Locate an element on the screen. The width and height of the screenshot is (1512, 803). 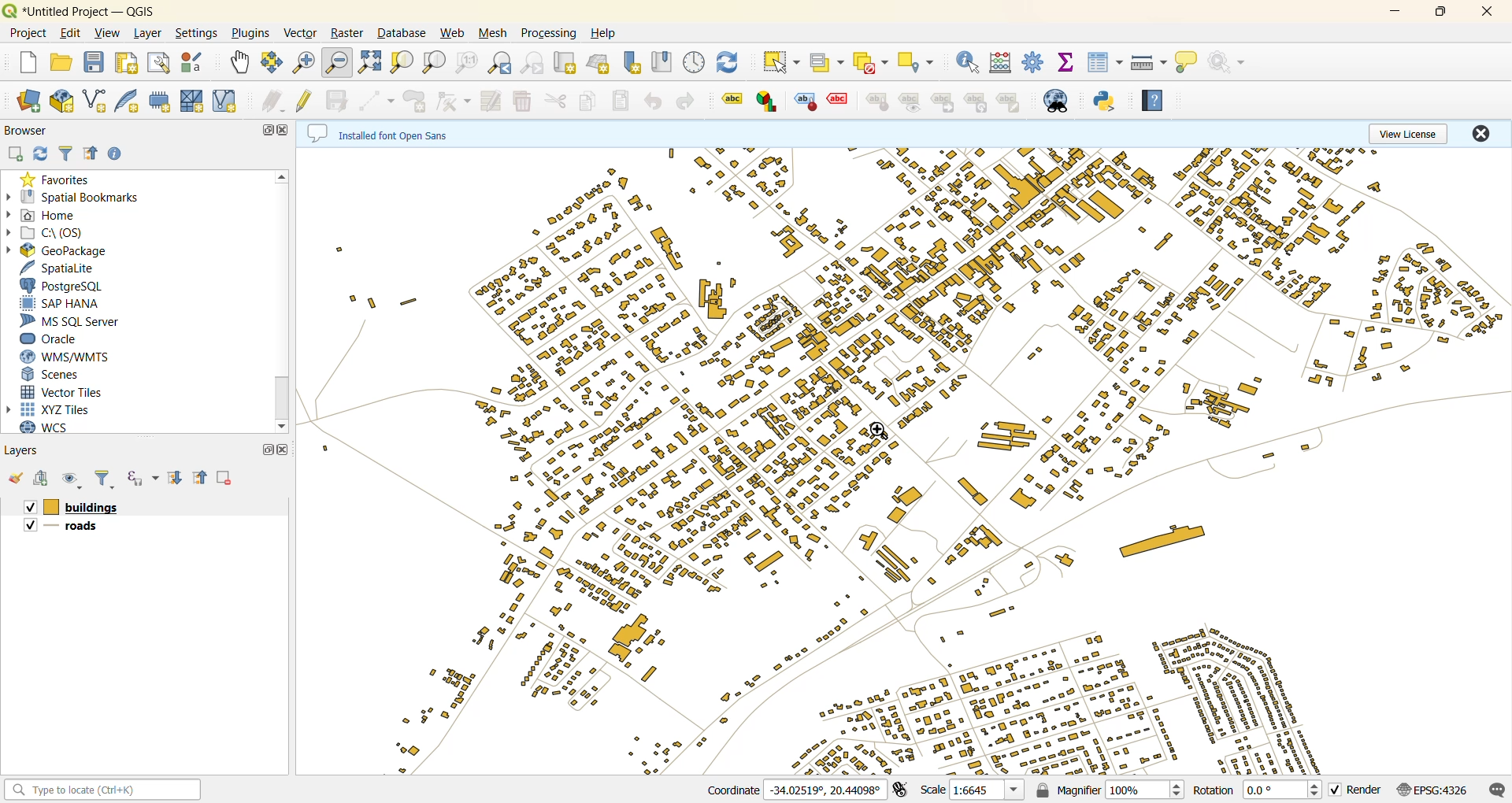
close is located at coordinates (283, 452).